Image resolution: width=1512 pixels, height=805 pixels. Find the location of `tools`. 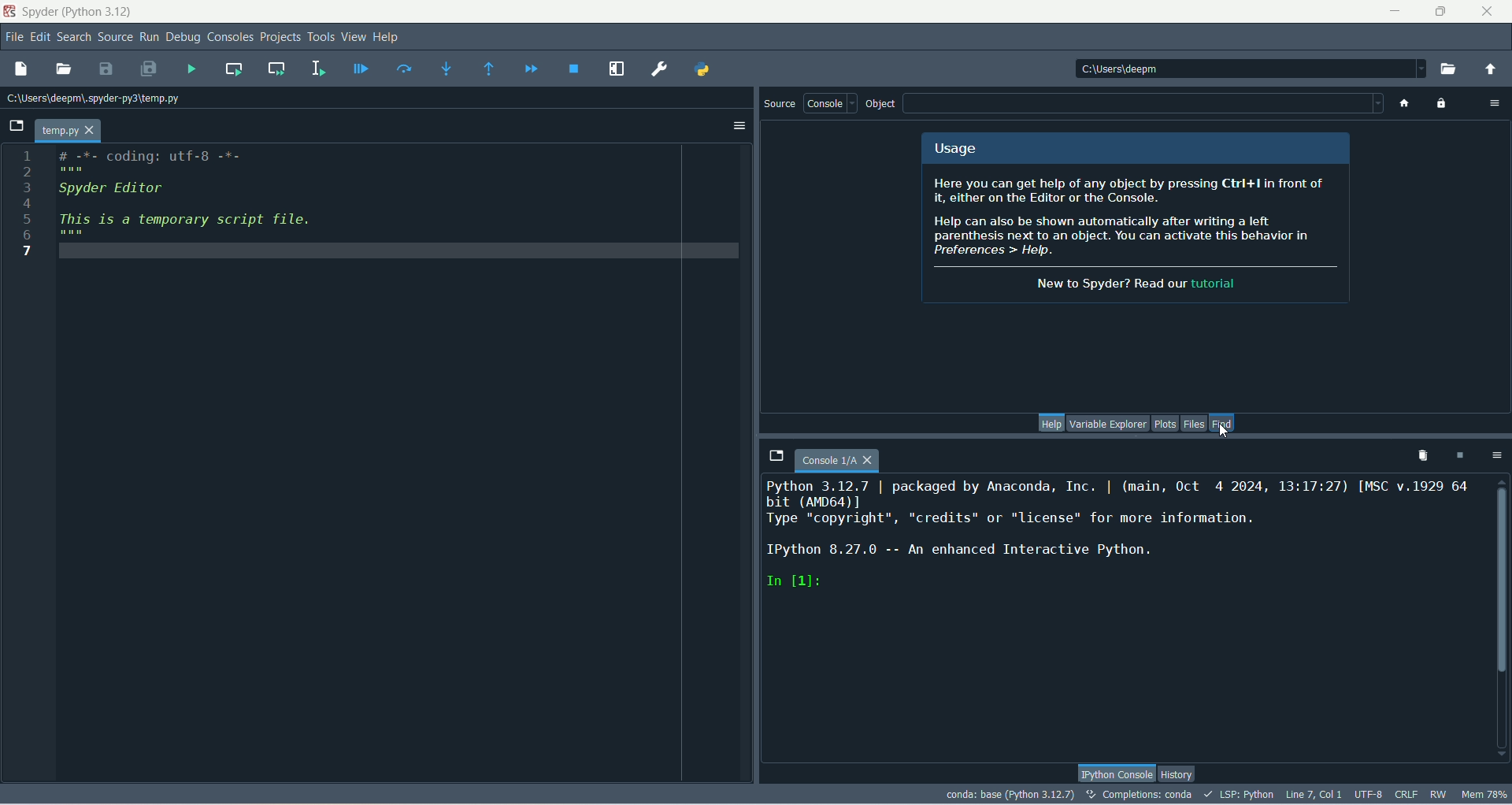

tools is located at coordinates (321, 38).